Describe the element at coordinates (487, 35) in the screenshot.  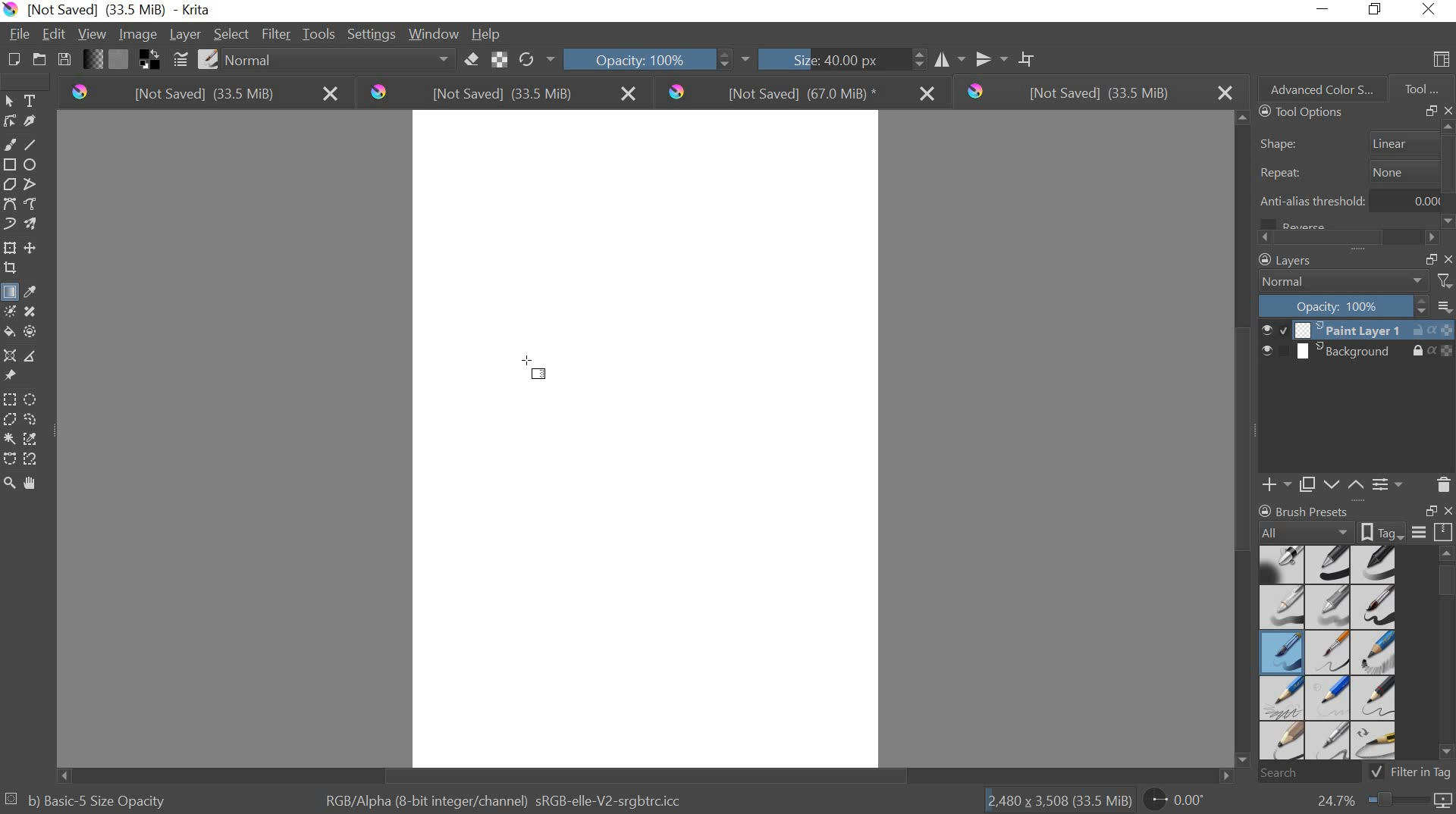
I see `HELP` at that location.